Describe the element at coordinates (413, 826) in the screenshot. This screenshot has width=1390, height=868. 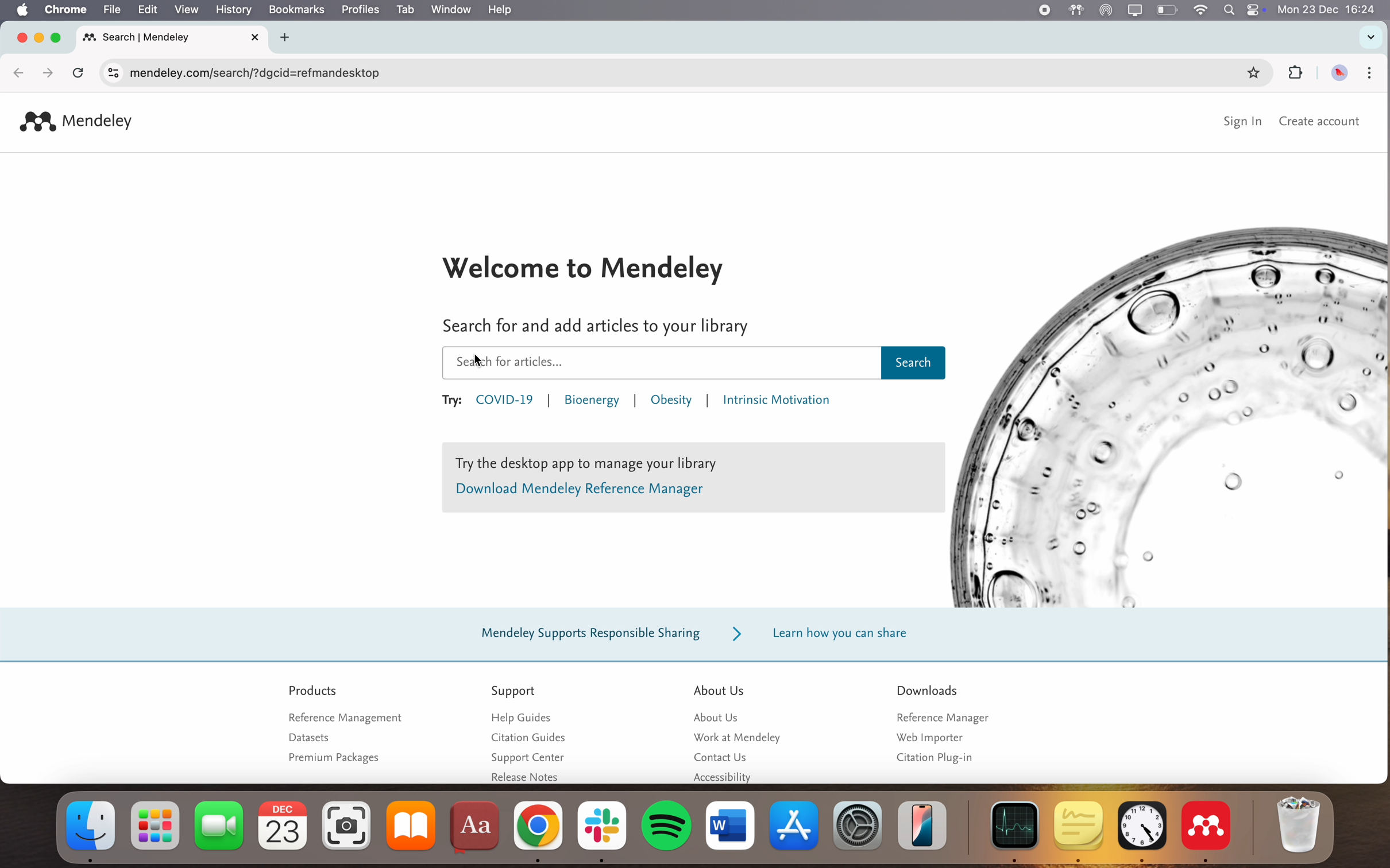
I see `ibooks` at that location.